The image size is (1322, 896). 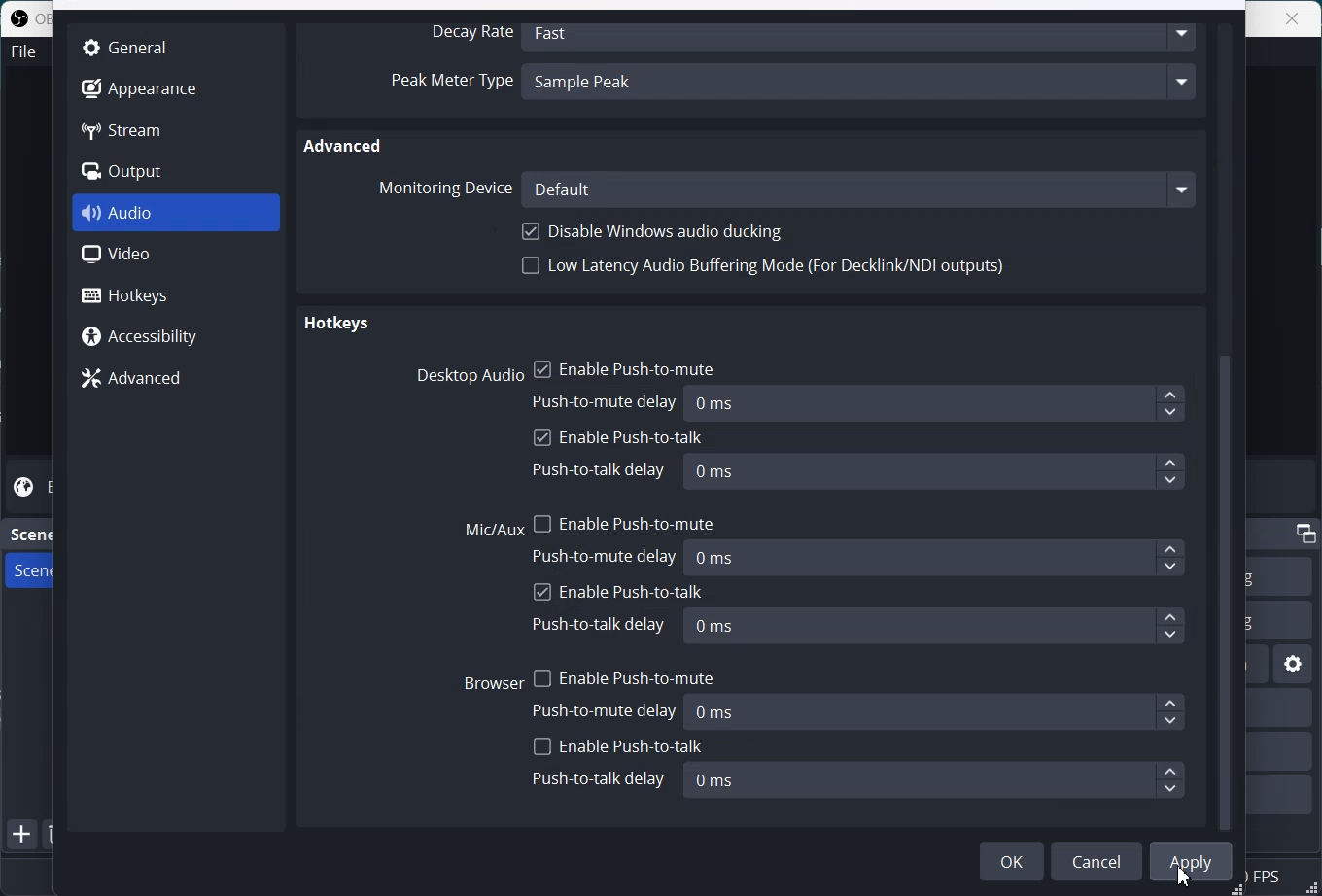 What do you see at coordinates (443, 188) in the screenshot?
I see `Monitoring Device` at bounding box center [443, 188].